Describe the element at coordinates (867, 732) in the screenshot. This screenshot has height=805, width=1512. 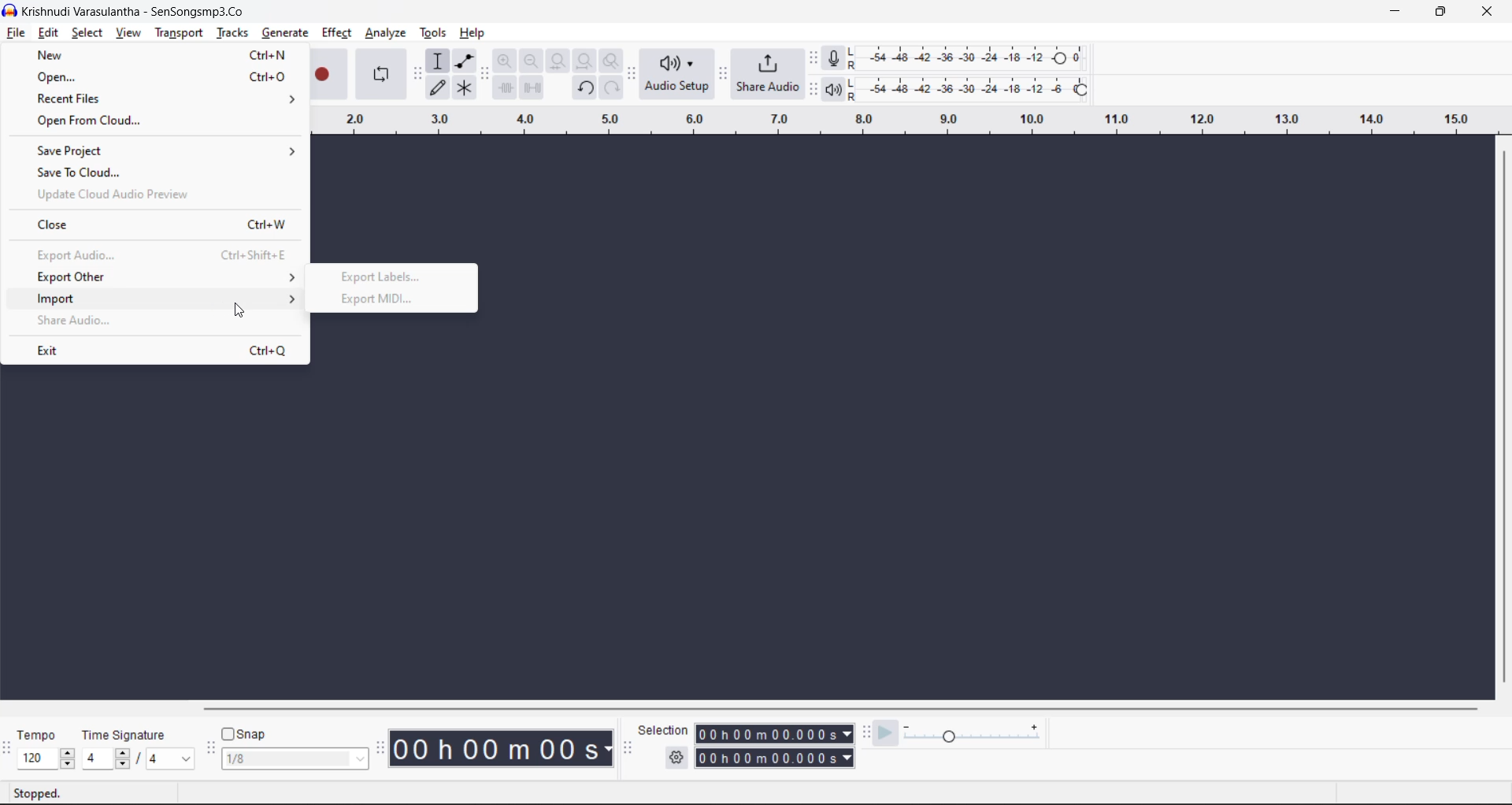
I see `play at speed toolbar` at that location.